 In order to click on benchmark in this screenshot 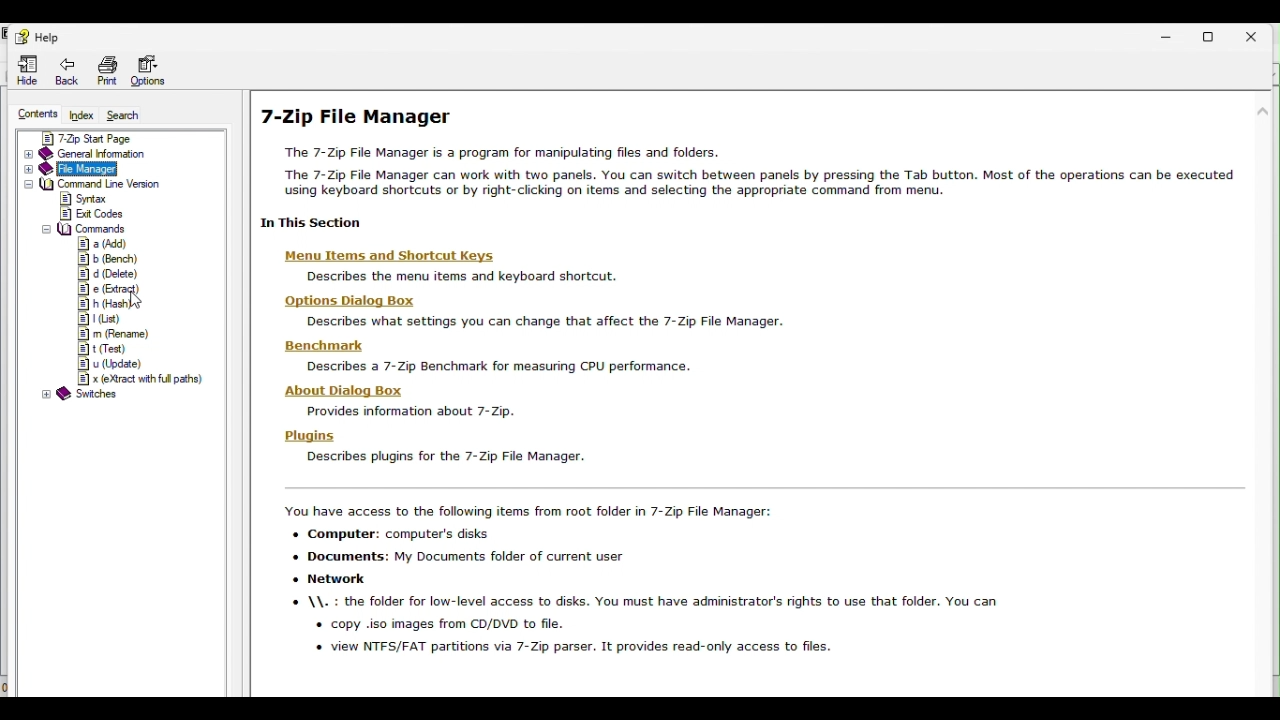, I will do `click(505, 354)`.